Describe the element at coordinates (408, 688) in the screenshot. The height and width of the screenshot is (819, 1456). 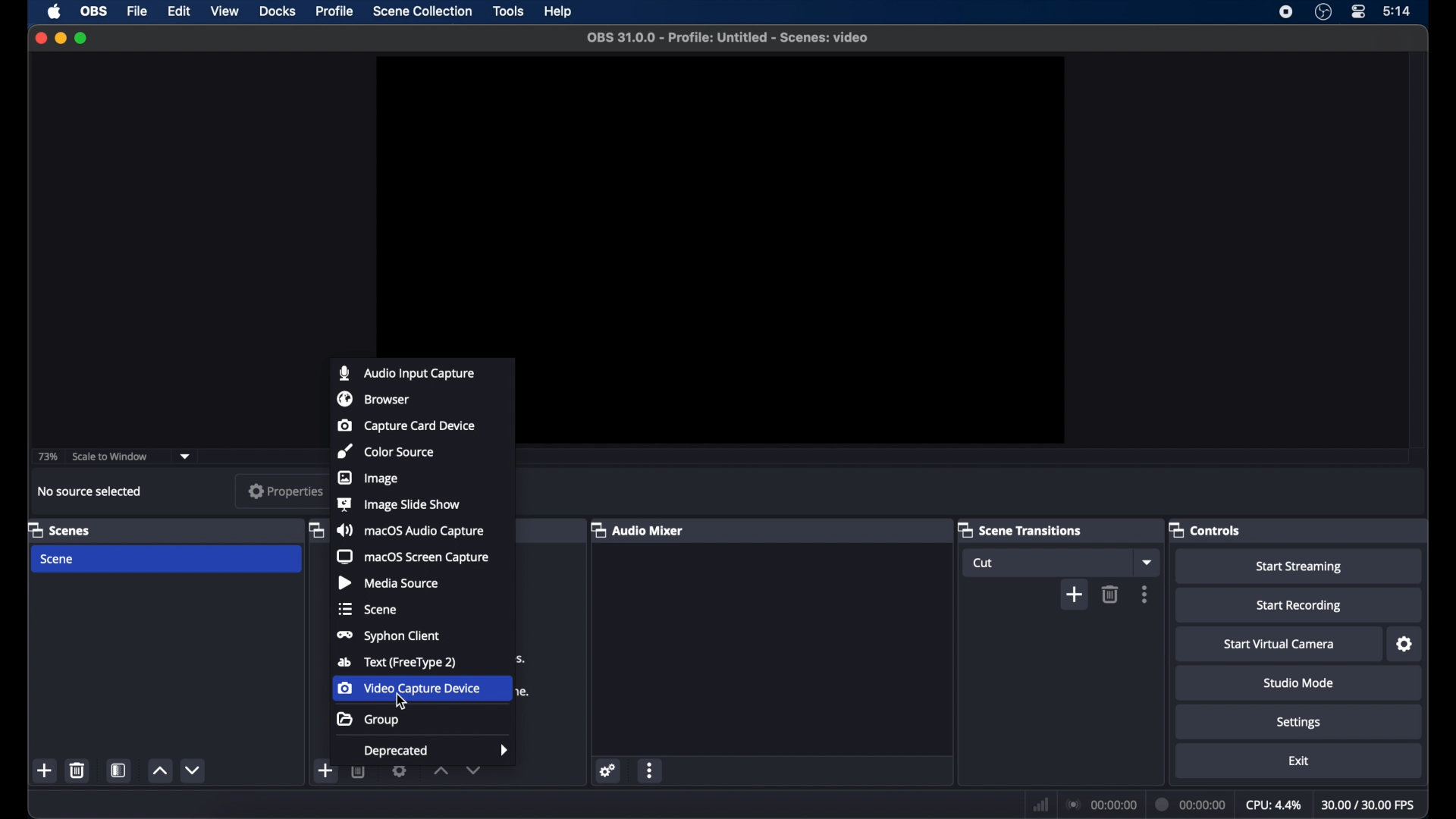
I see `video capture device` at that location.